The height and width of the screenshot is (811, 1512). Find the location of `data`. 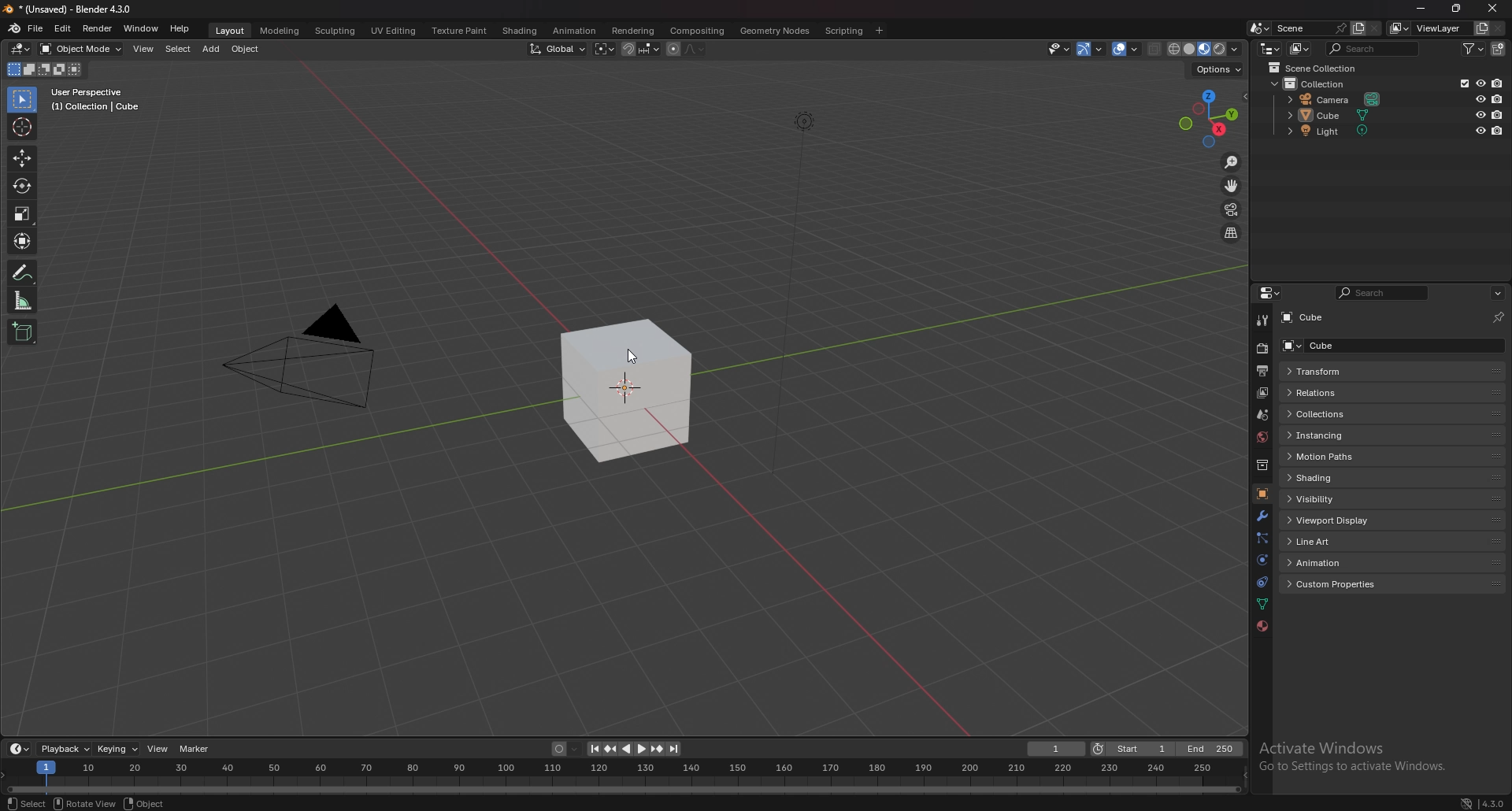

data is located at coordinates (1264, 603).